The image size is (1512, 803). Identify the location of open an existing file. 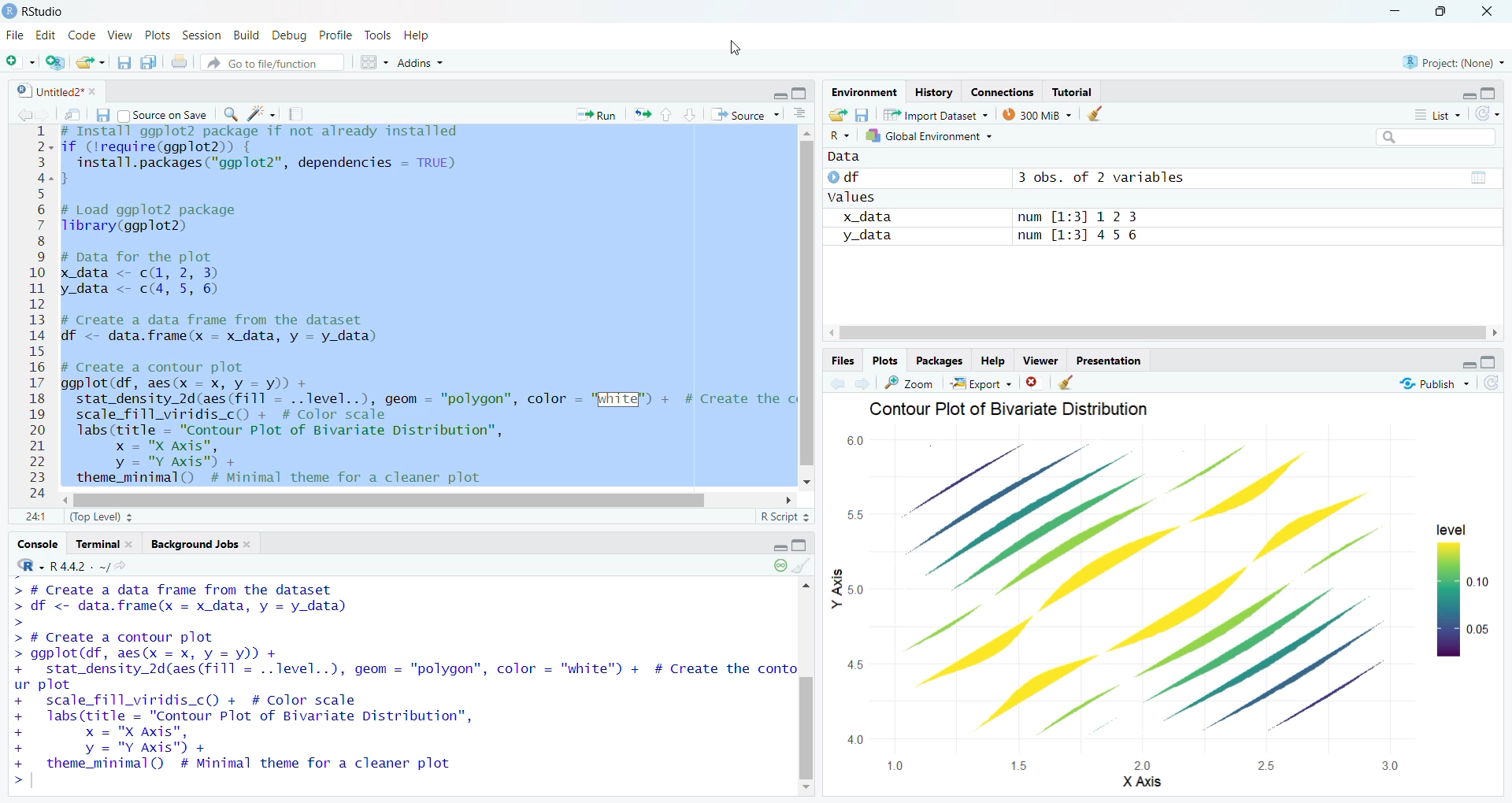
(91, 62).